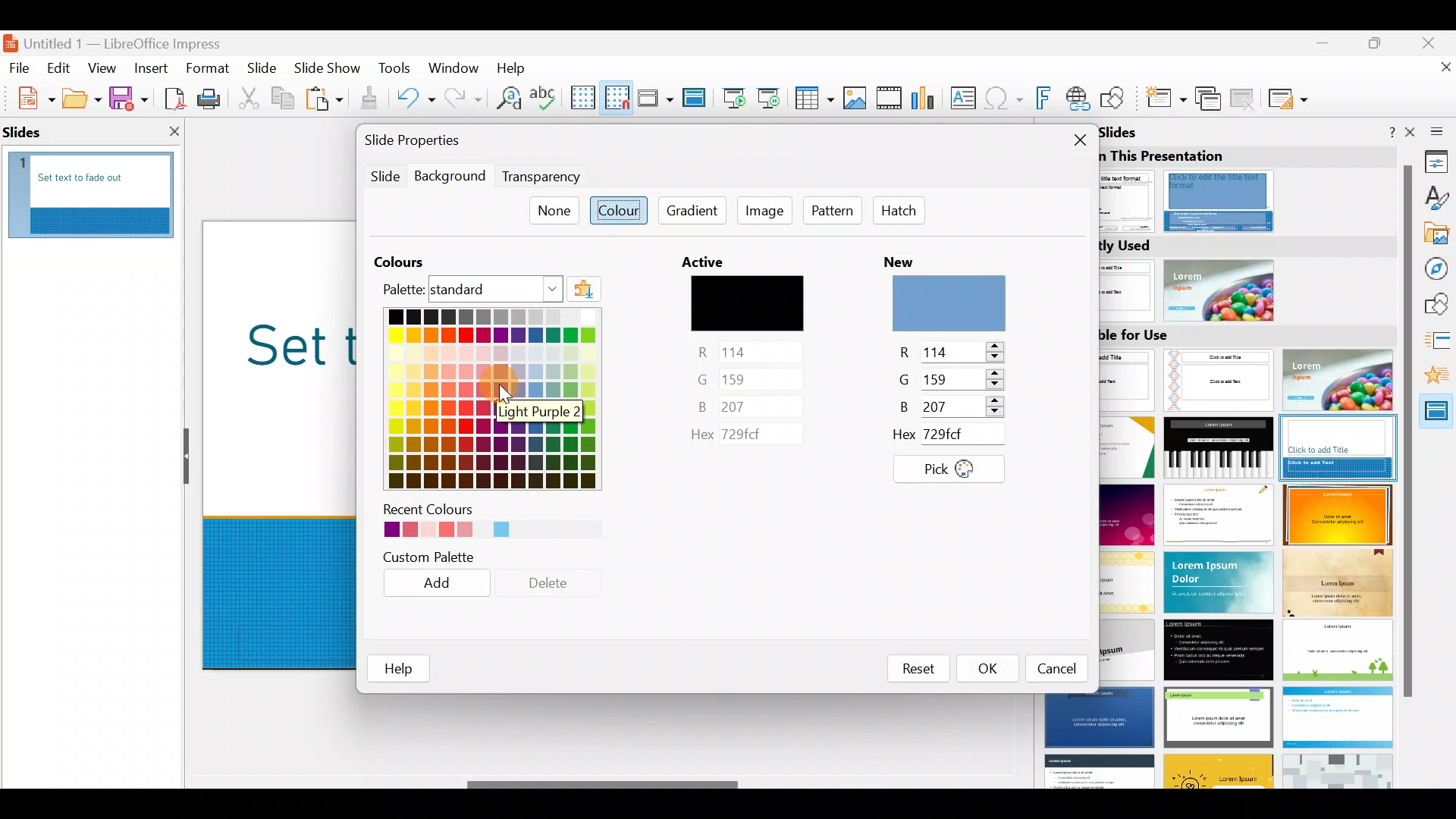 The image size is (1456, 819). What do you see at coordinates (692, 212) in the screenshot?
I see `Gradient` at bounding box center [692, 212].